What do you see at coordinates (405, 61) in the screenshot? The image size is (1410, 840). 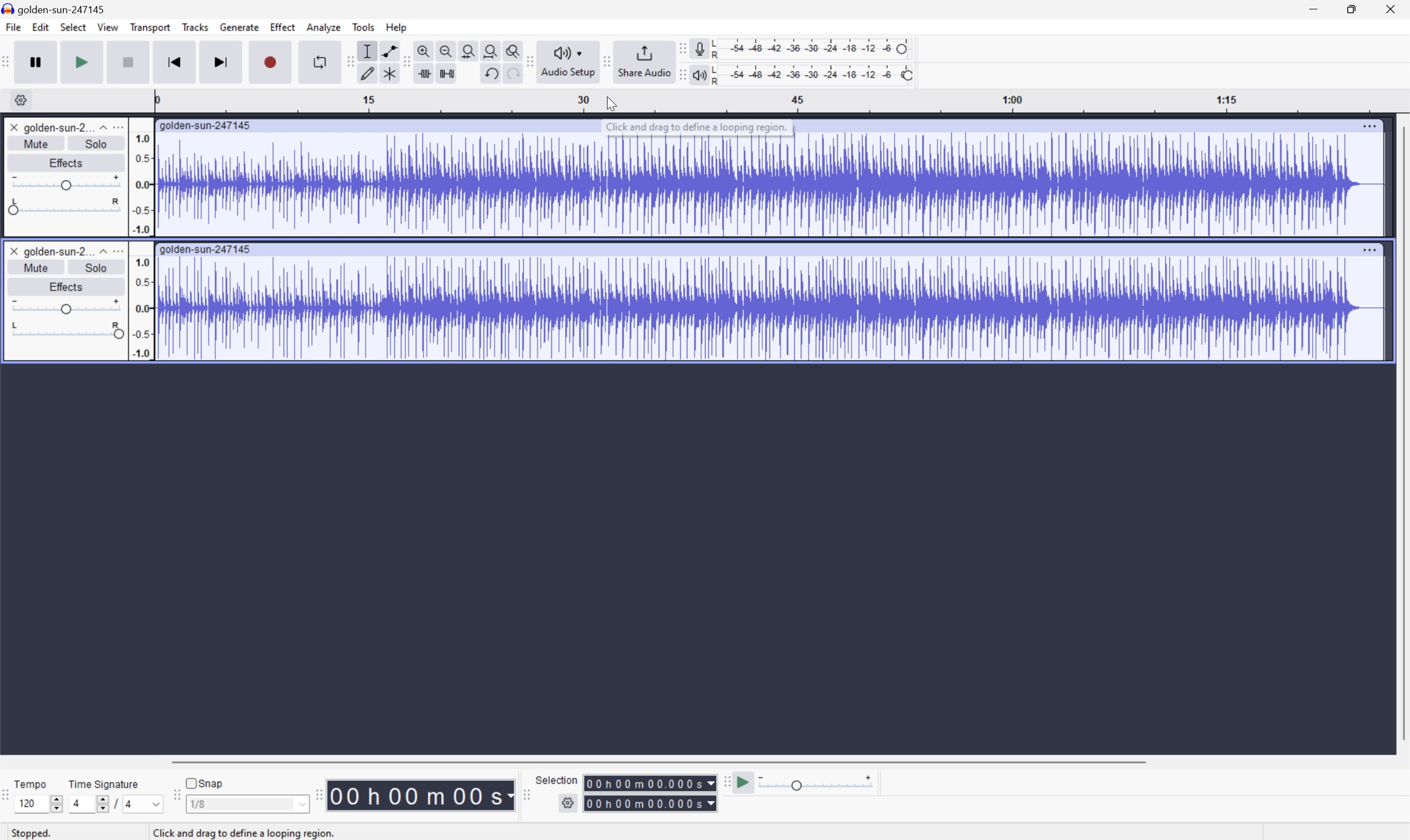 I see `Audacity Edit toolbar` at bounding box center [405, 61].